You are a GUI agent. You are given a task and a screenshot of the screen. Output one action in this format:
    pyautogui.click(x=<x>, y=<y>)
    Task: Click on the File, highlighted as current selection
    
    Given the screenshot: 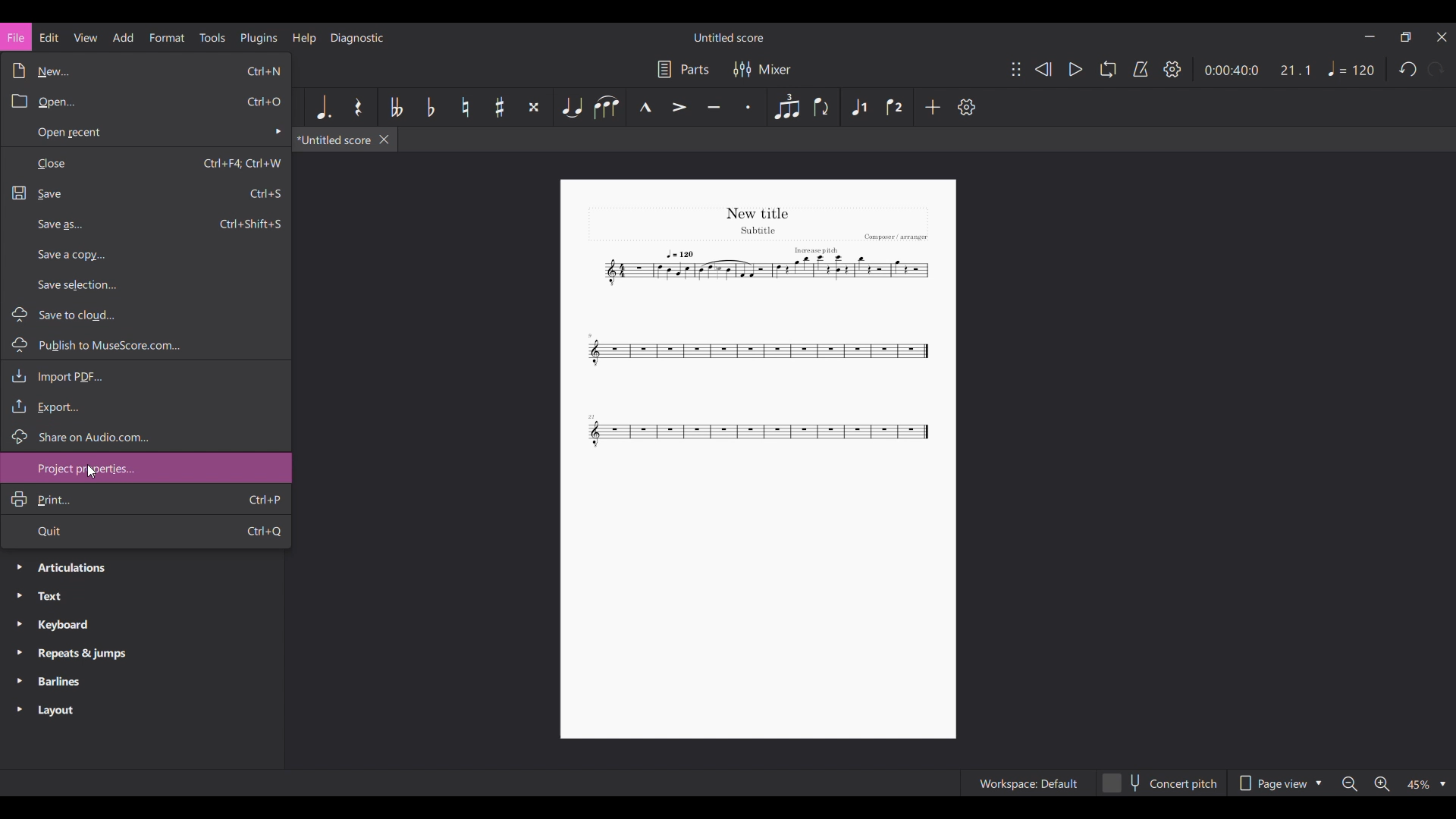 What is the action you would take?
    pyautogui.click(x=17, y=36)
    